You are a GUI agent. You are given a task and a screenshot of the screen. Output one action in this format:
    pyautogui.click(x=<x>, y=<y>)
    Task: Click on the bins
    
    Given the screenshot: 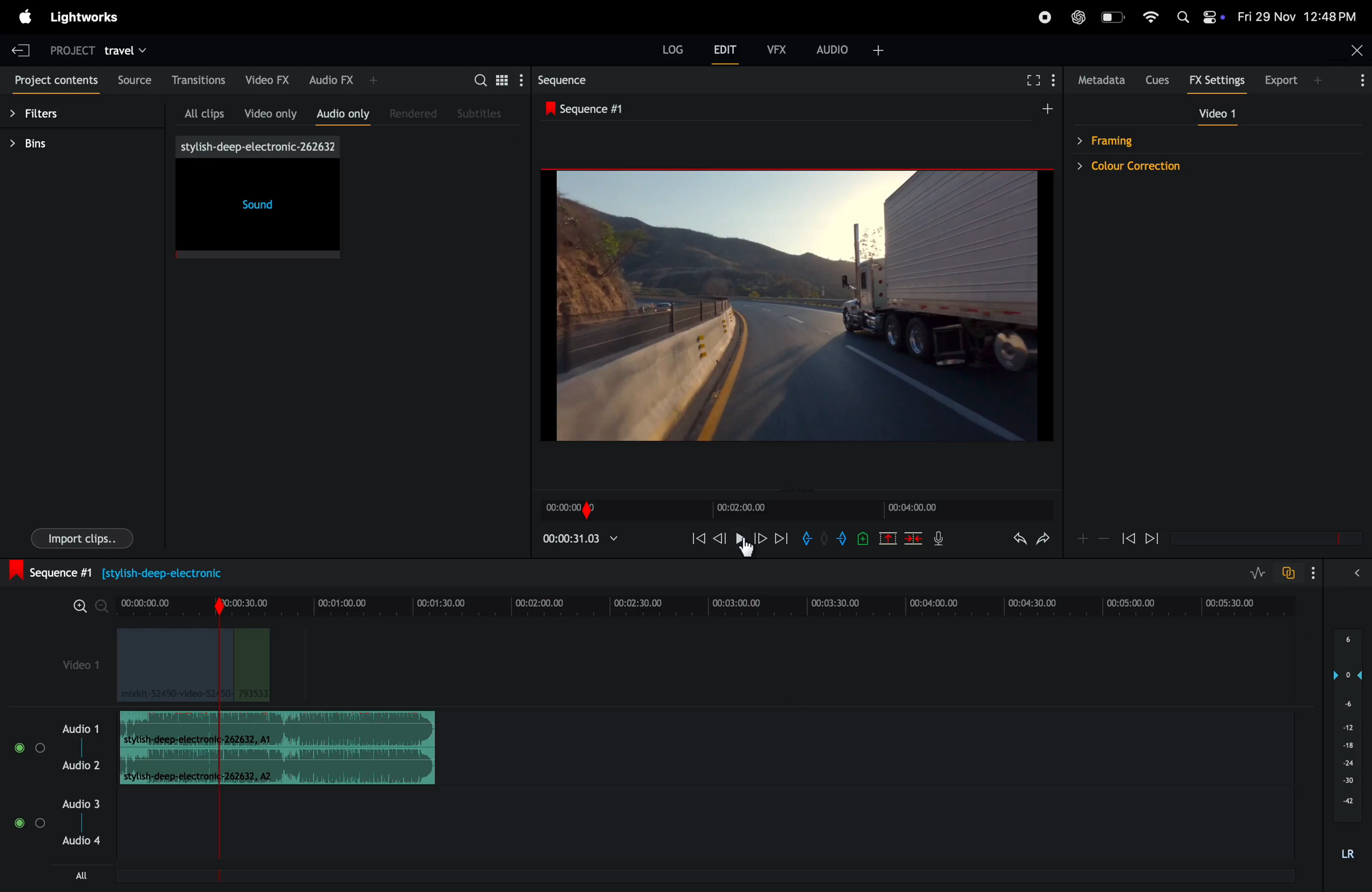 What is the action you would take?
    pyautogui.click(x=67, y=145)
    